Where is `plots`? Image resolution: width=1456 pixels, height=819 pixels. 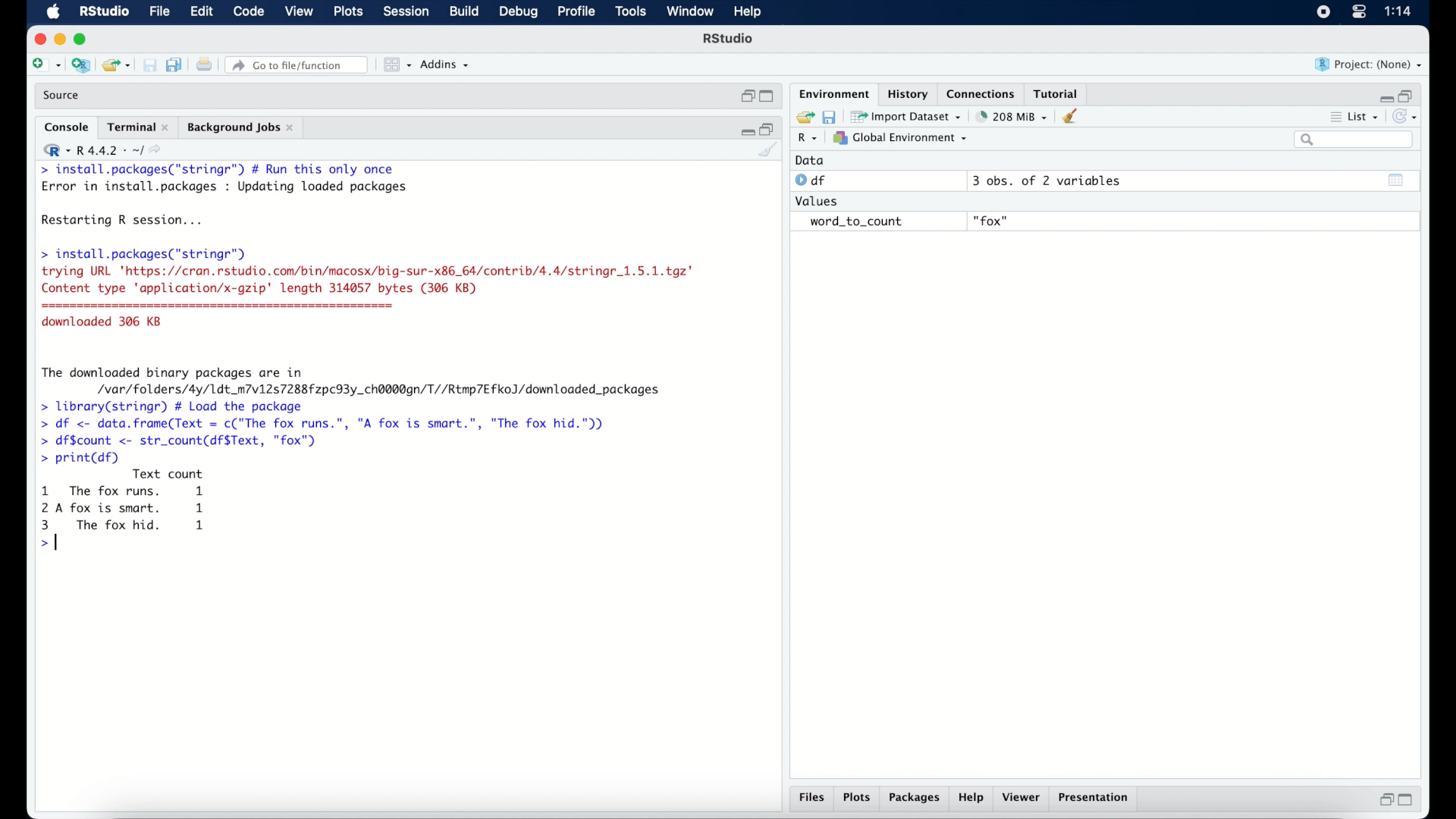
plots is located at coordinates (857, 799).